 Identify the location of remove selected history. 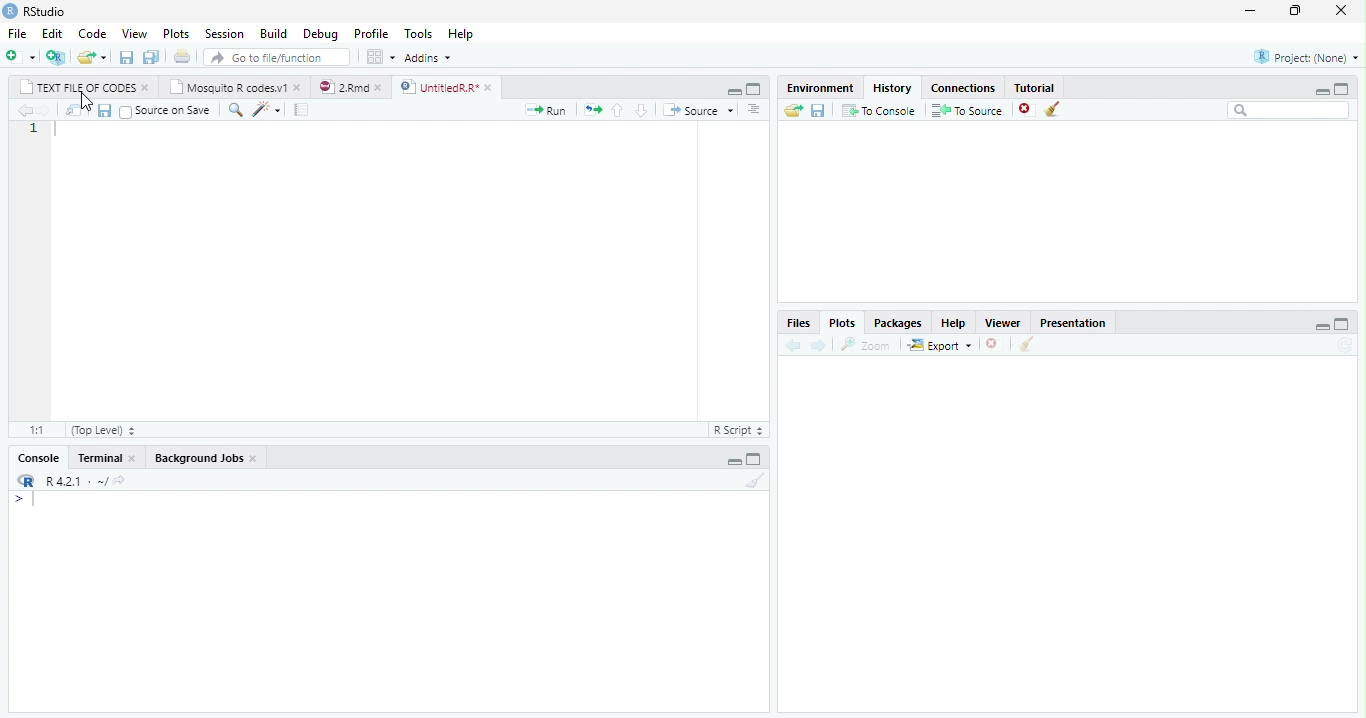
(1021, 110).